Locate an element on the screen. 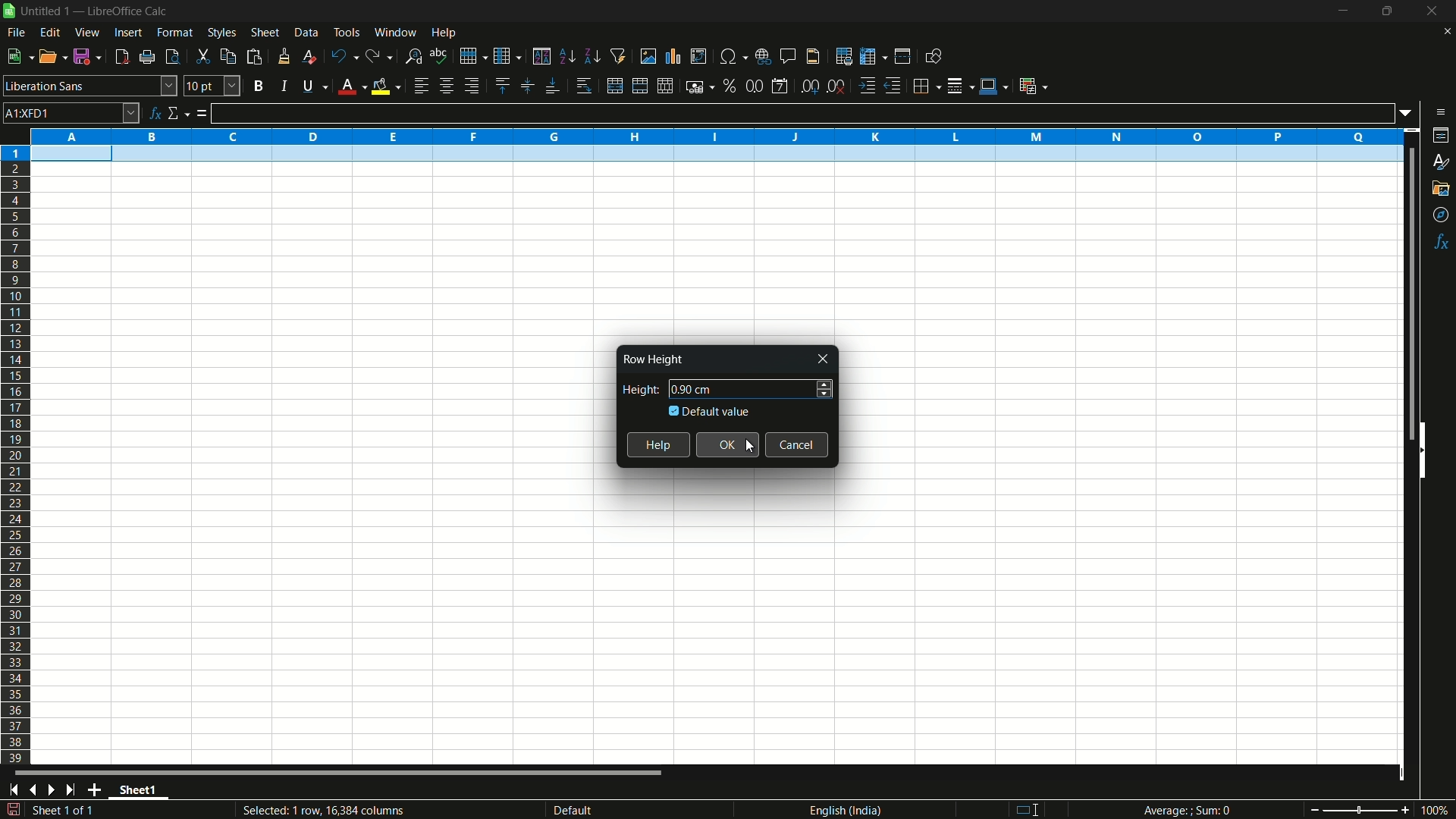  split window is located at coordinates (902, 57).